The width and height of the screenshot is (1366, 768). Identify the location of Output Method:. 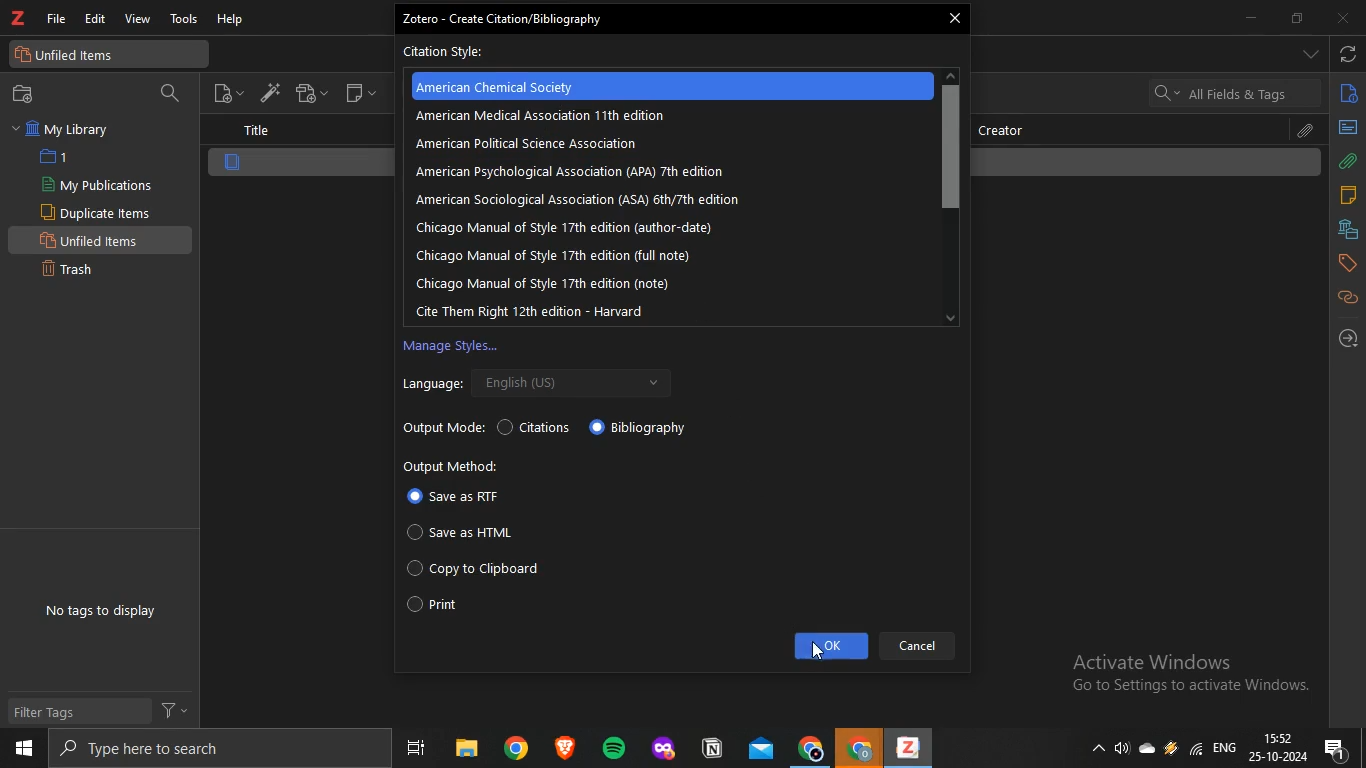
(461, 465).